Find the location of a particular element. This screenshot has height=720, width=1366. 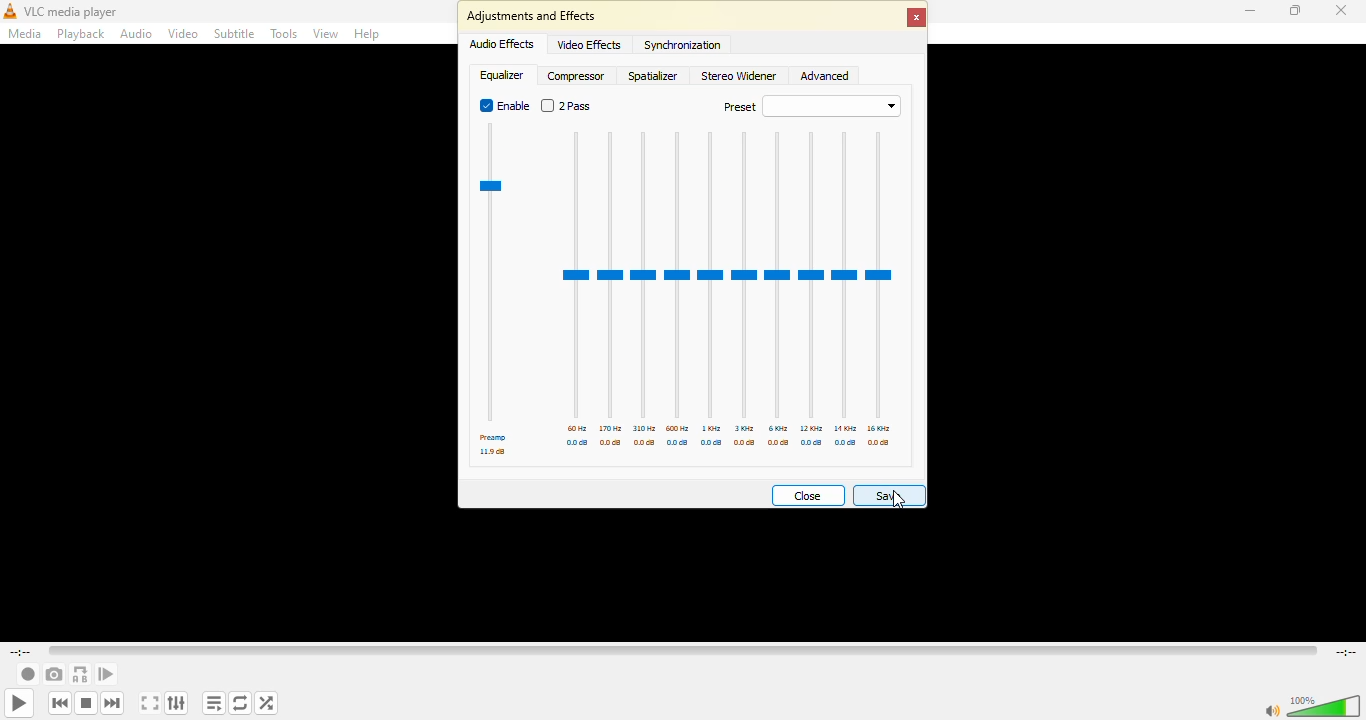

random is located at coordinates (267, 700).